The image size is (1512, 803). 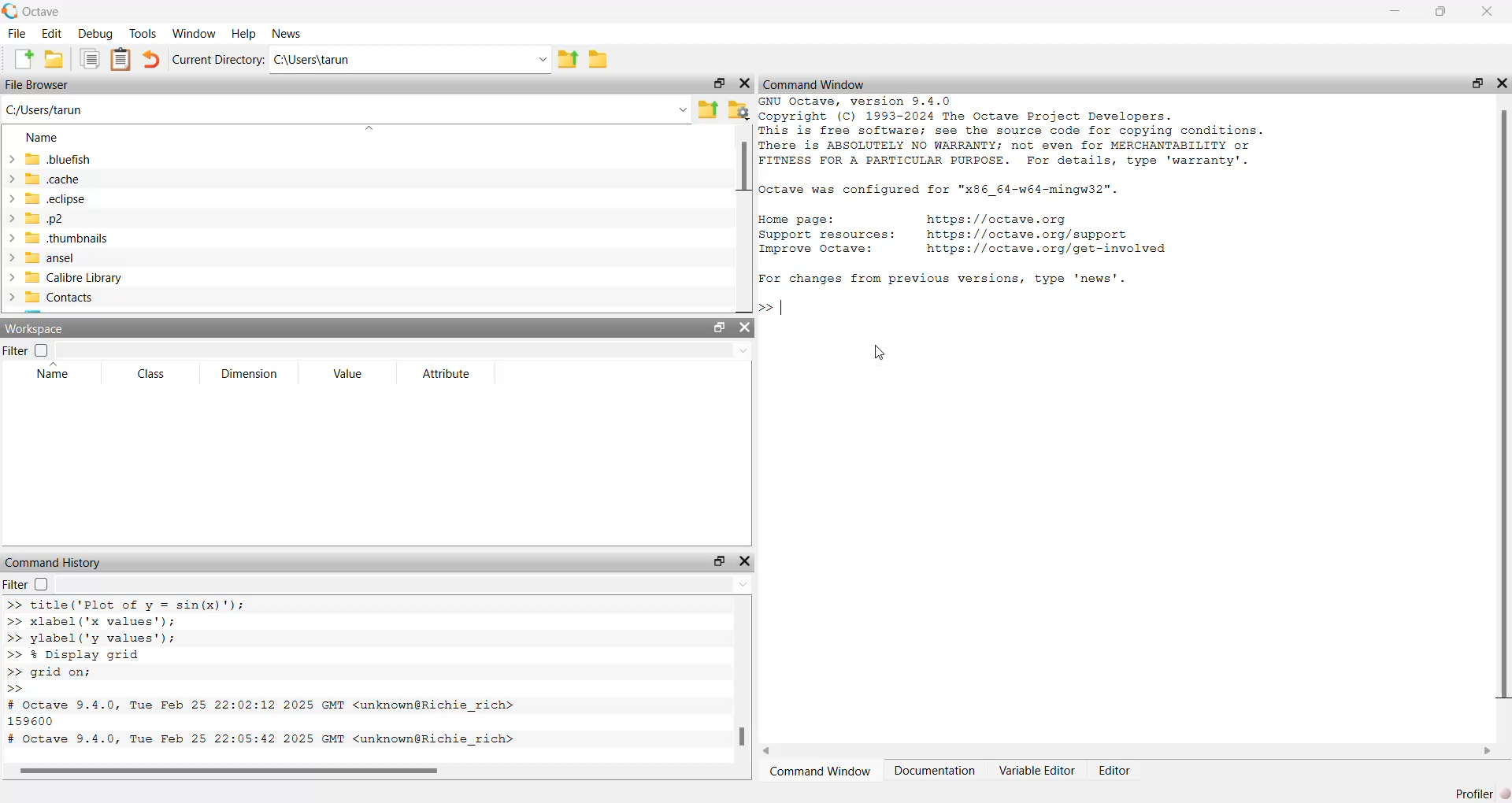 What do you see at coordinates (1440, 13) in the screenshot?
I see `resize` at bounding box center [1440, 13].